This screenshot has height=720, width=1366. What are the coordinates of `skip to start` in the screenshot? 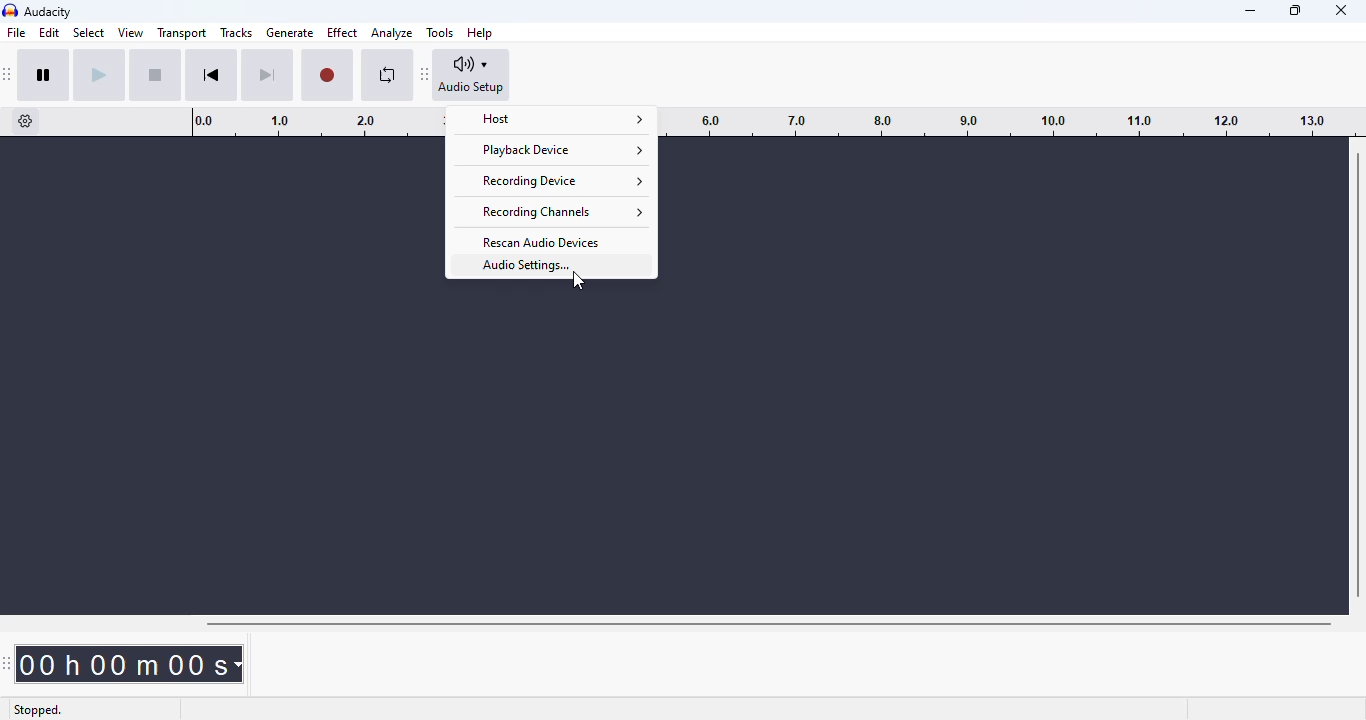 It's located at (211, 75).